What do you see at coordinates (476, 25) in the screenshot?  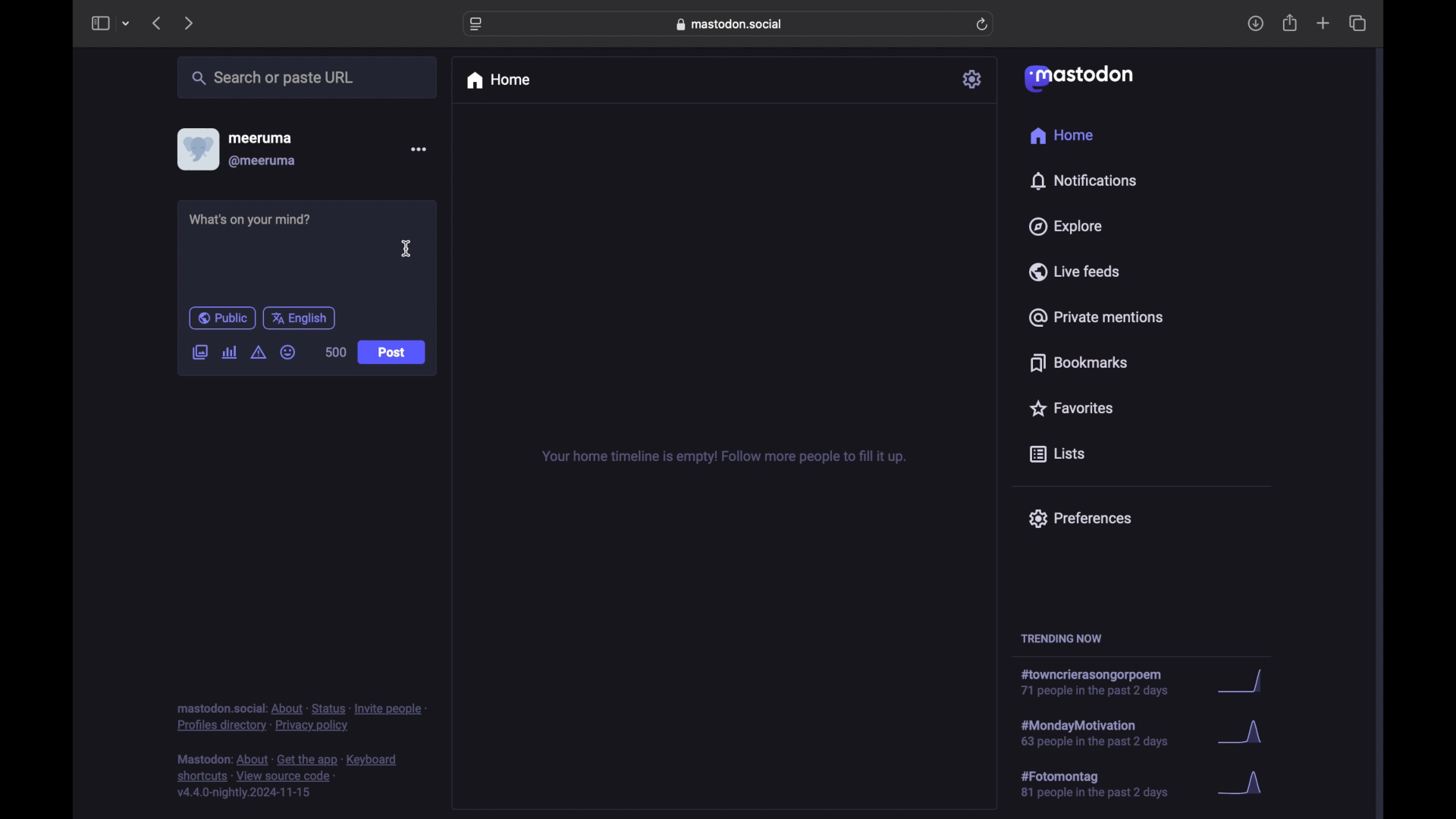 I see `website settings` at bounding box center [476, 25].